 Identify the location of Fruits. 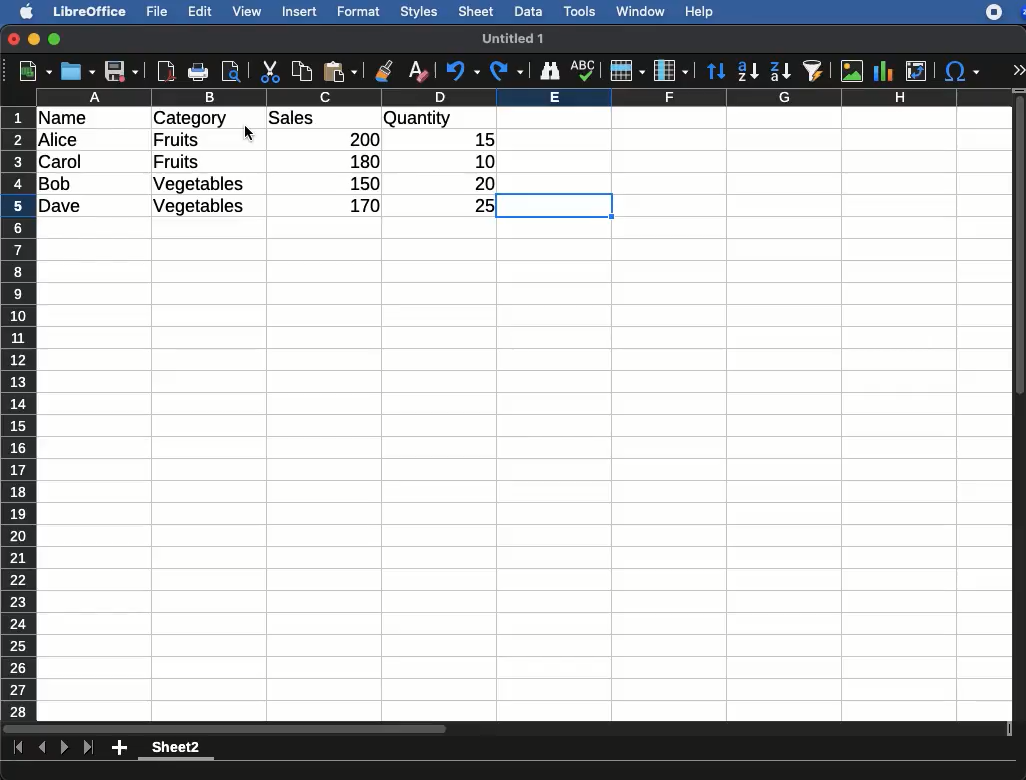
(177, 139).